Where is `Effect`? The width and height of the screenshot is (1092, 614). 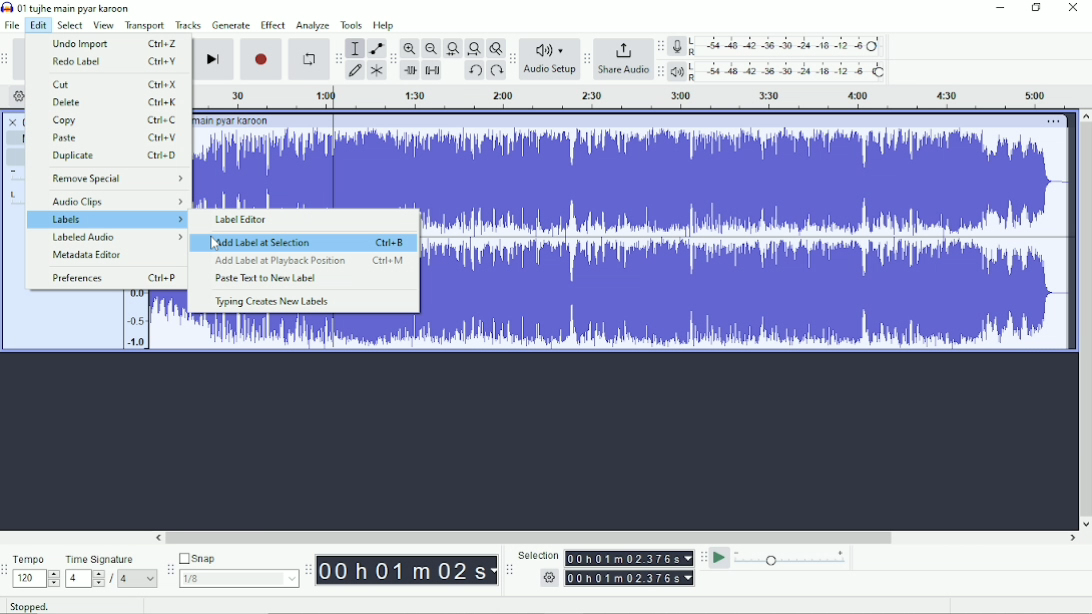
Effect is located at coordinates (273, 24).